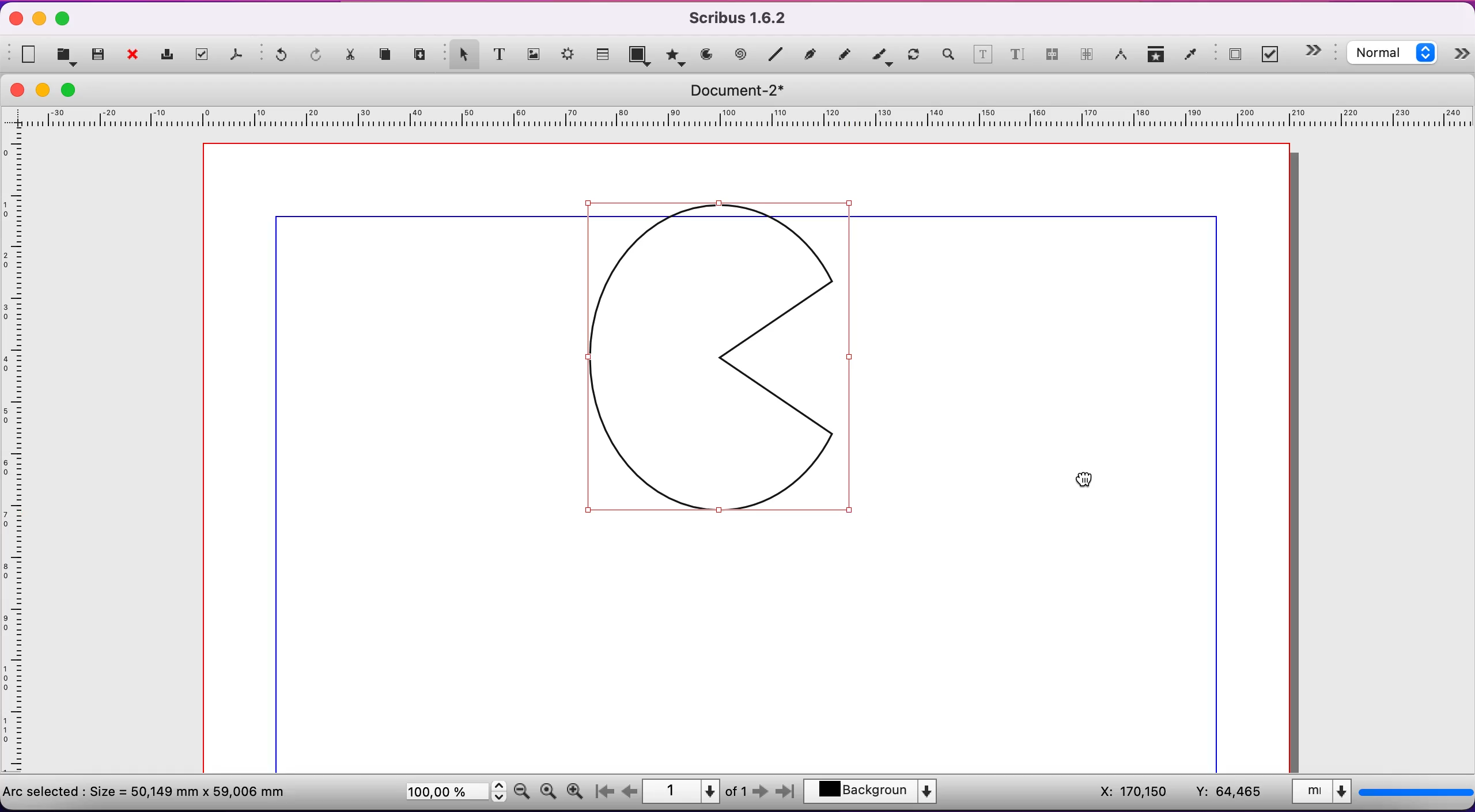 The image size is (1475, 812). I want to click on text frame, so click(500, 54).